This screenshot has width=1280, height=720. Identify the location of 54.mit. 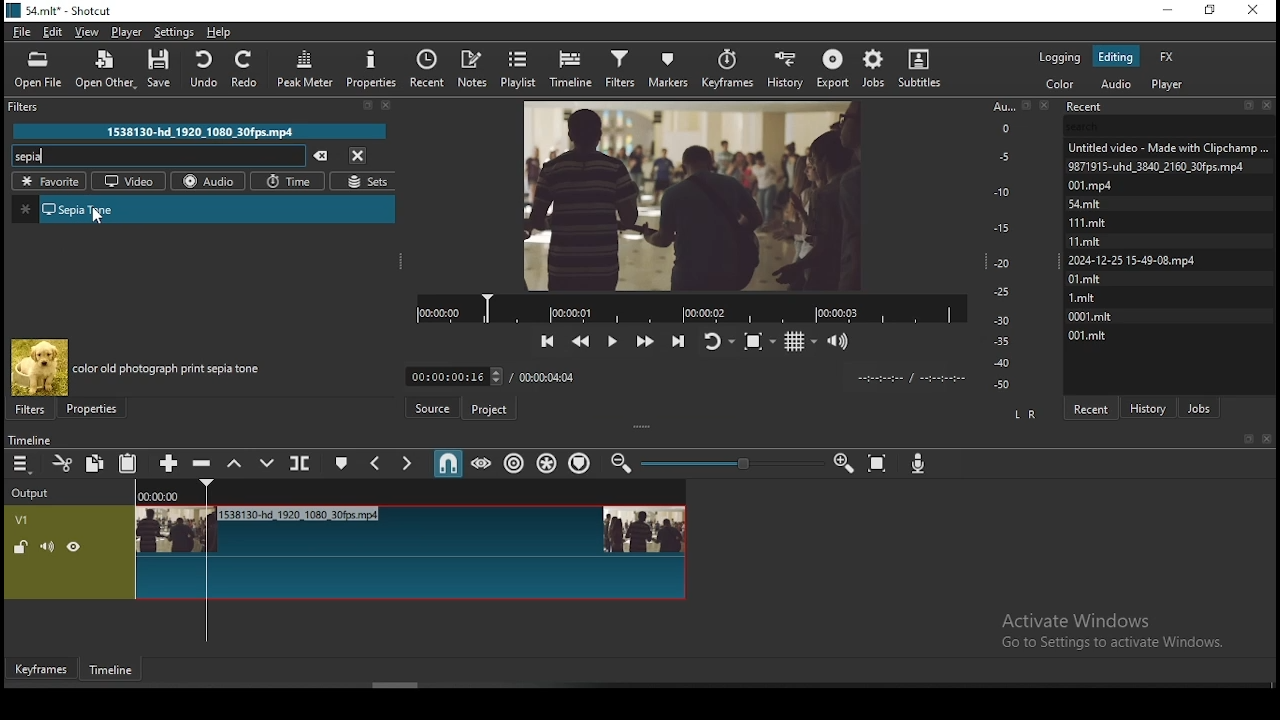
(1087, 204).